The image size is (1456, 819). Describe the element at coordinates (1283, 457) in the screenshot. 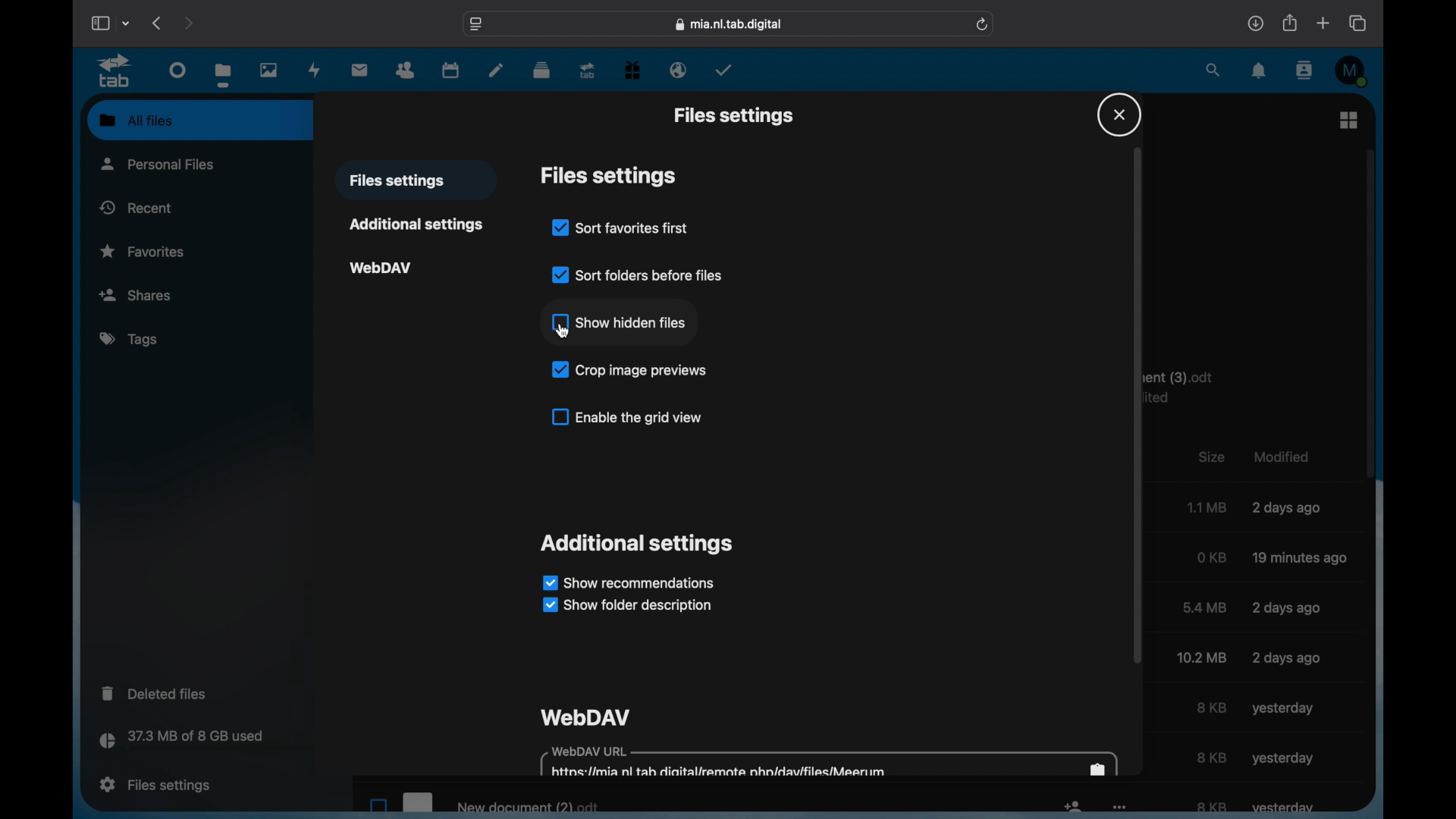

I see `modified` at that location.